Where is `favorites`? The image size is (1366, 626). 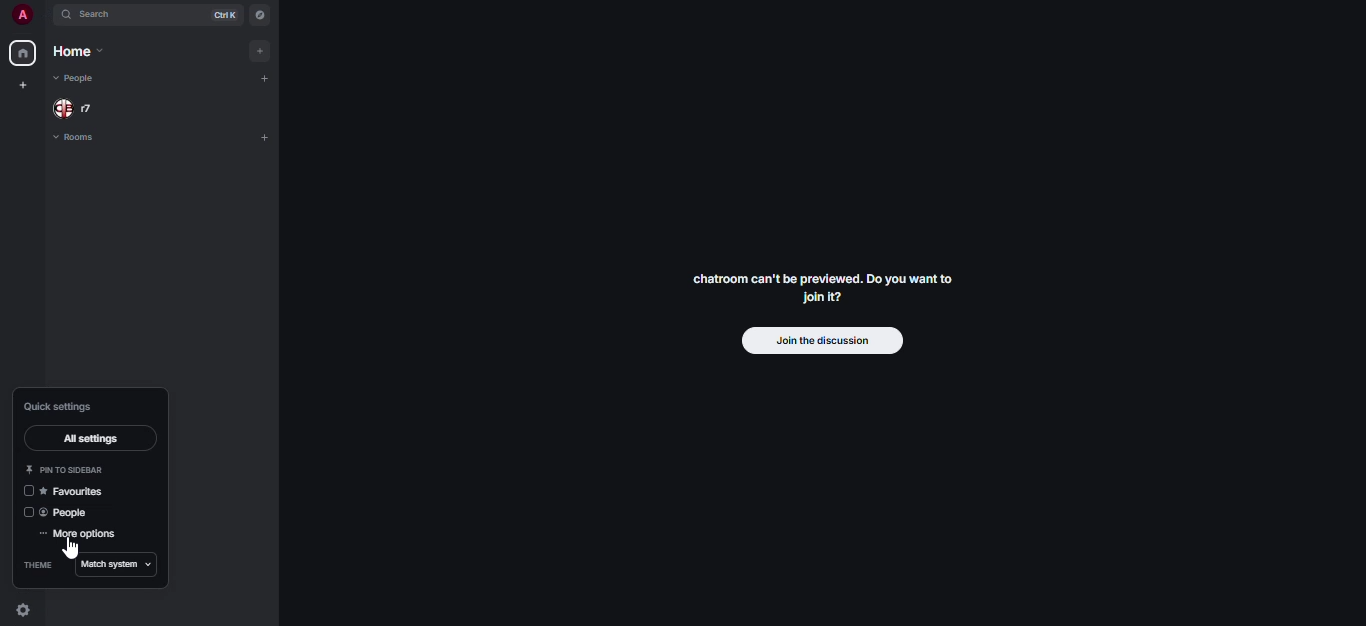 favorites is located at coordinates (79, 490).